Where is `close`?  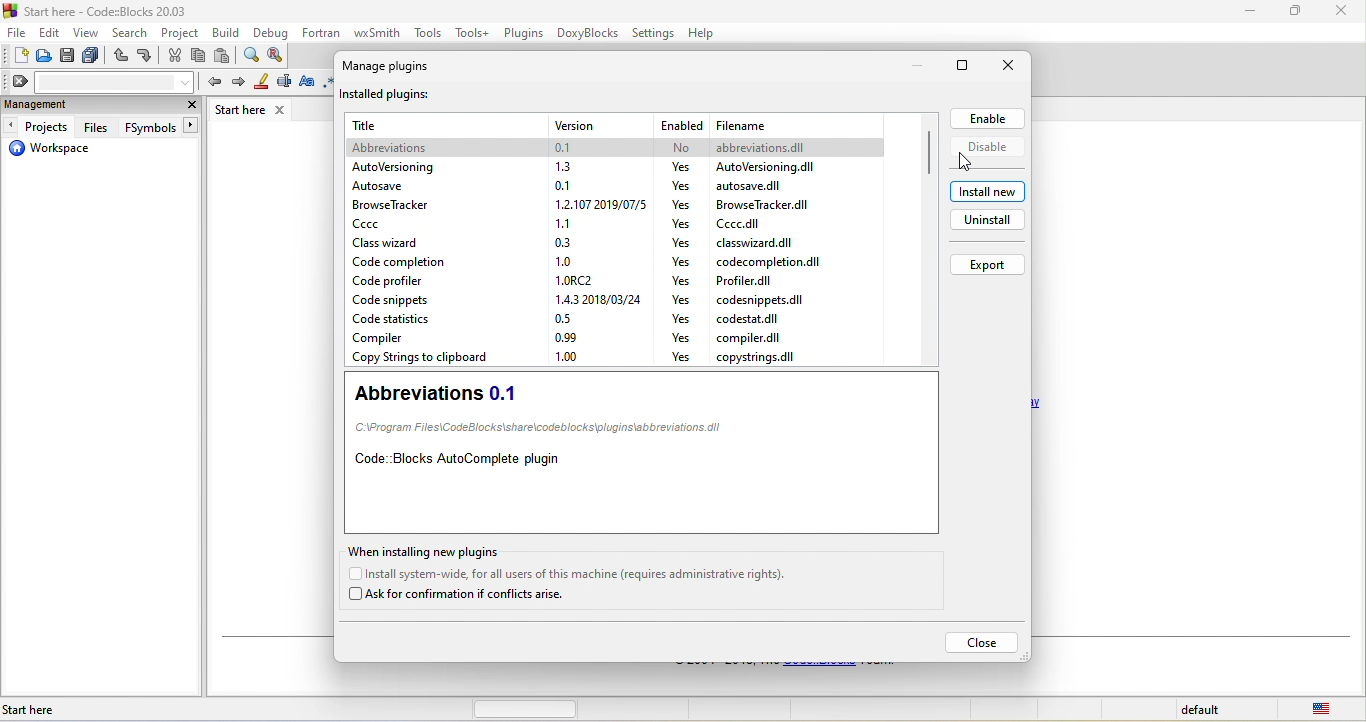 close is located at coordinates (984, 643).